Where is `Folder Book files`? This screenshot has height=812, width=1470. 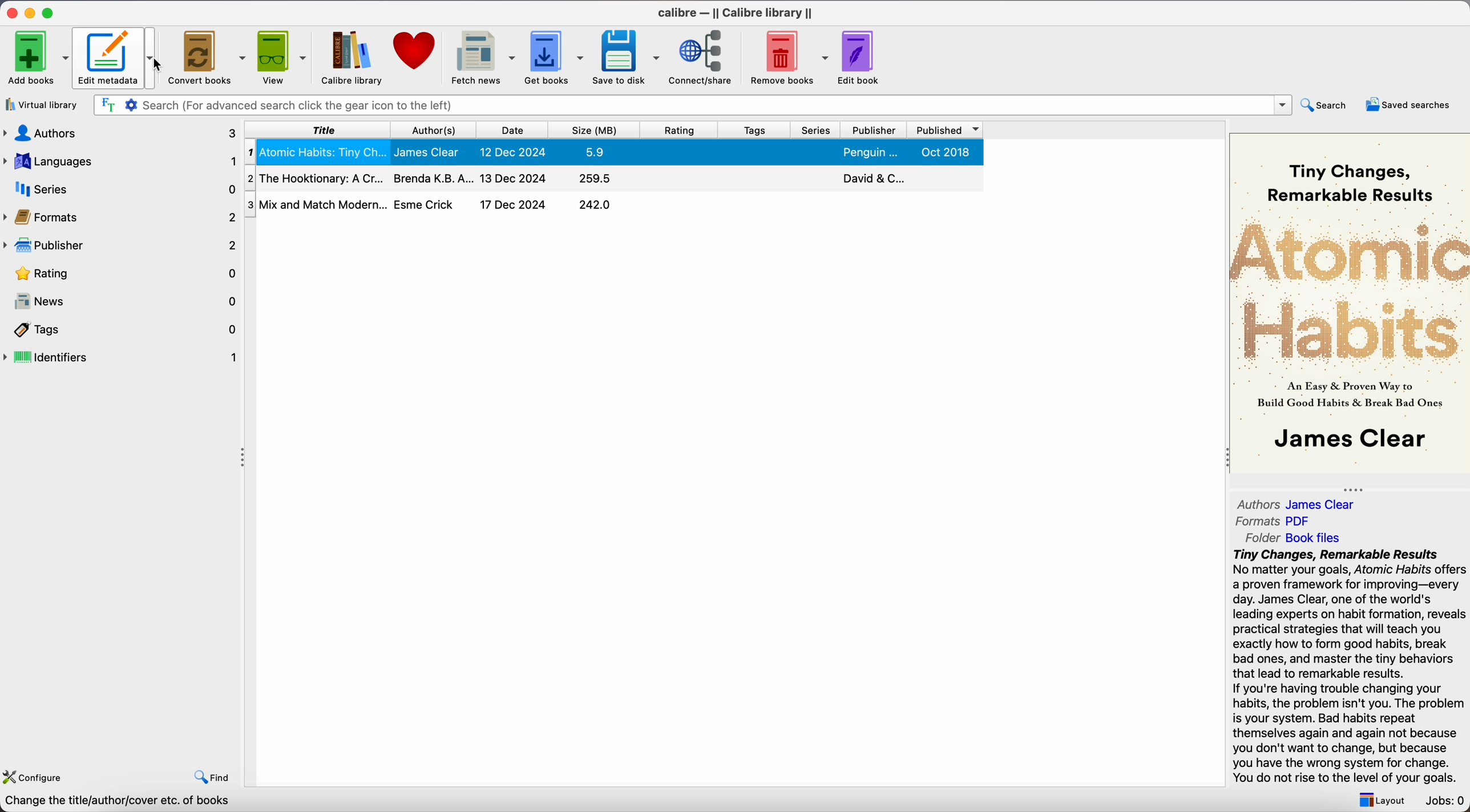 Folder Book files is located at coordinates (1297, 538).